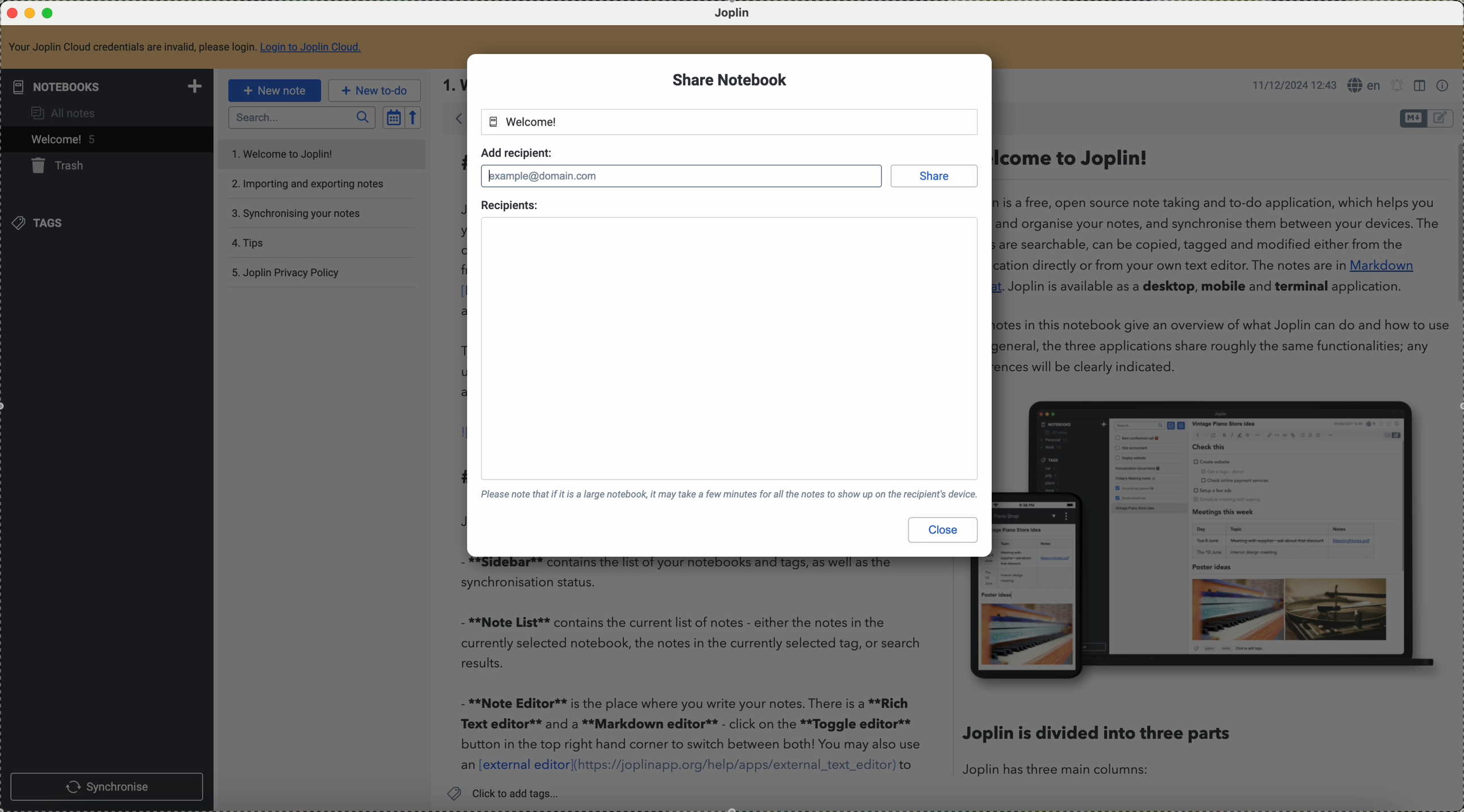  What do you see at coordinates (1444, 86) in the screenshot?
I see `note properties` at bounding box center [1444, 86].